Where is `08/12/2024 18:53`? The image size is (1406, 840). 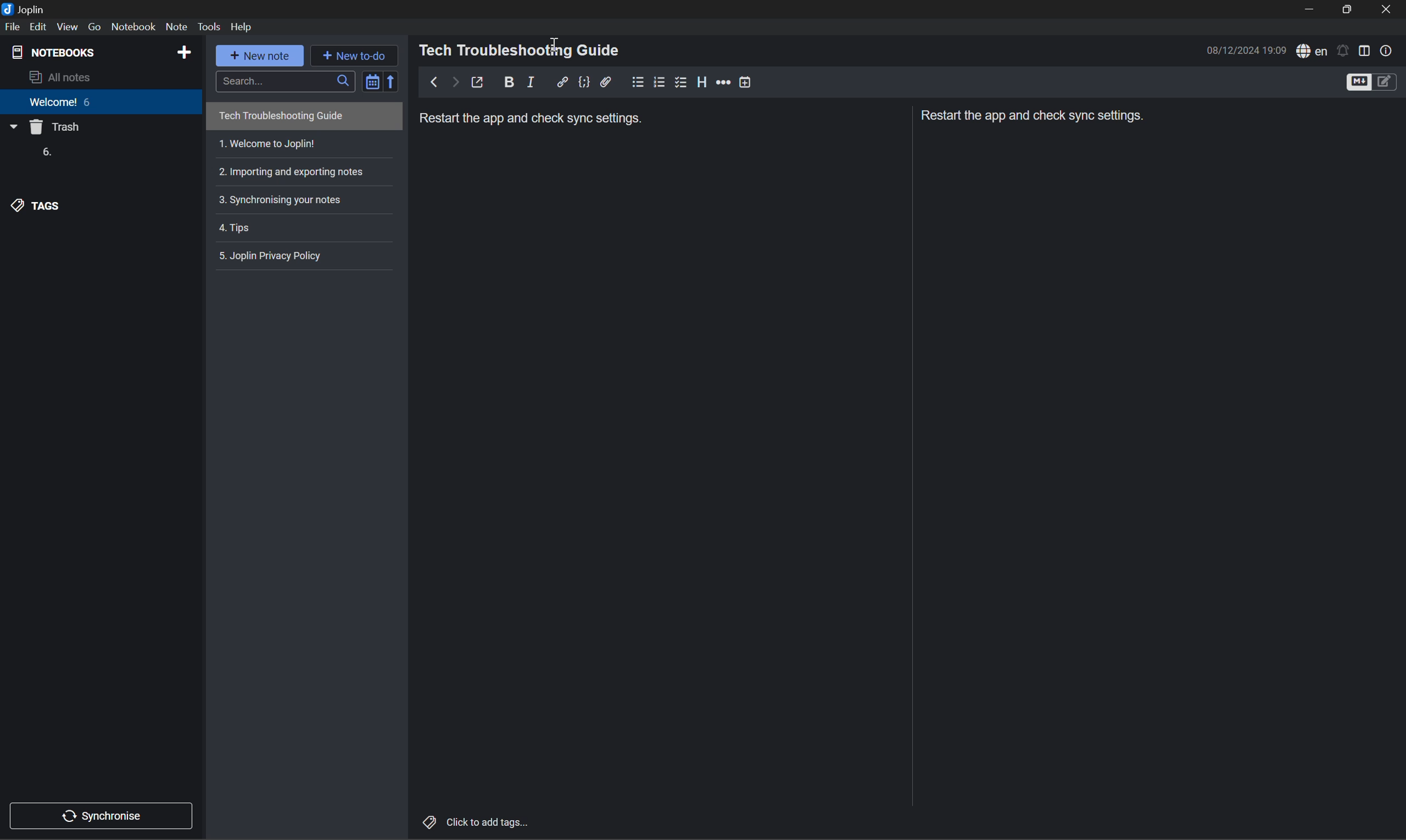 08/12/2024 18:53 is located at coordinates (1246, 50).